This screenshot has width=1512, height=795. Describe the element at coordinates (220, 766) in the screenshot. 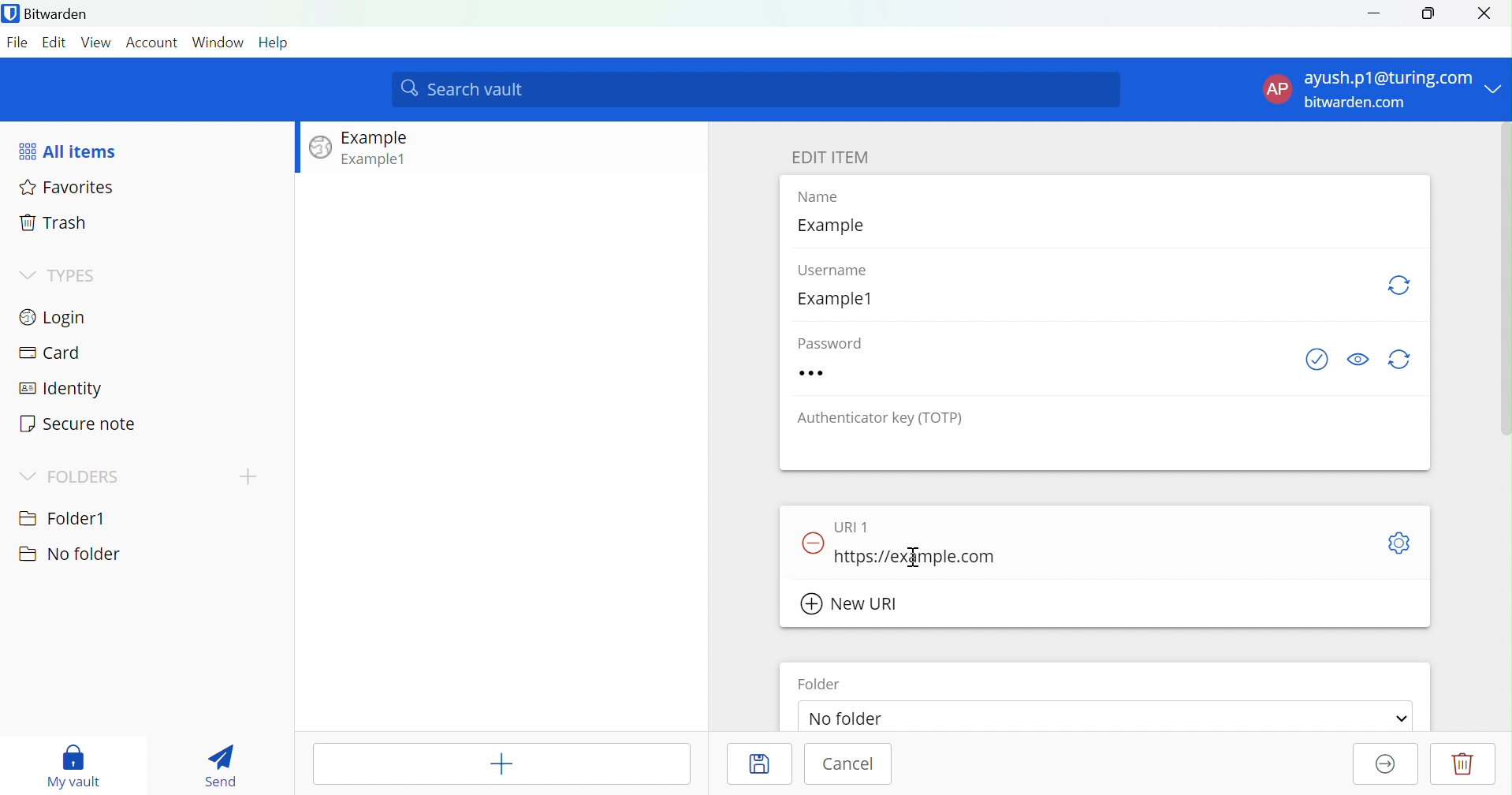

I see `Send` at that location.